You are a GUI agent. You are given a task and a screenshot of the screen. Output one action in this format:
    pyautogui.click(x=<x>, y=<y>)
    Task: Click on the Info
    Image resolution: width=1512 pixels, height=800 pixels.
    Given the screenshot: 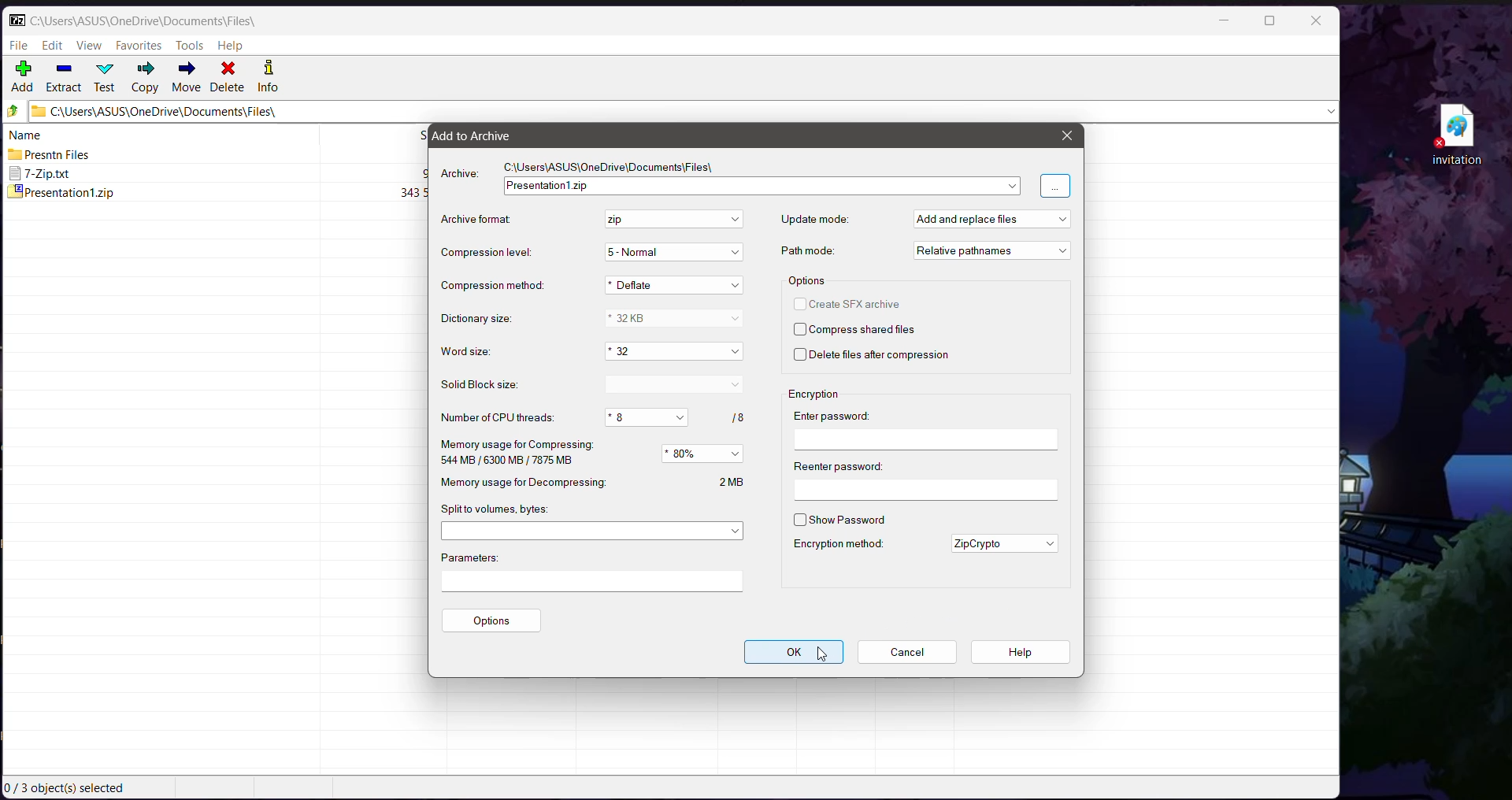 What is the action you would take?
    pyautogui.click(x=267, y=78)
    